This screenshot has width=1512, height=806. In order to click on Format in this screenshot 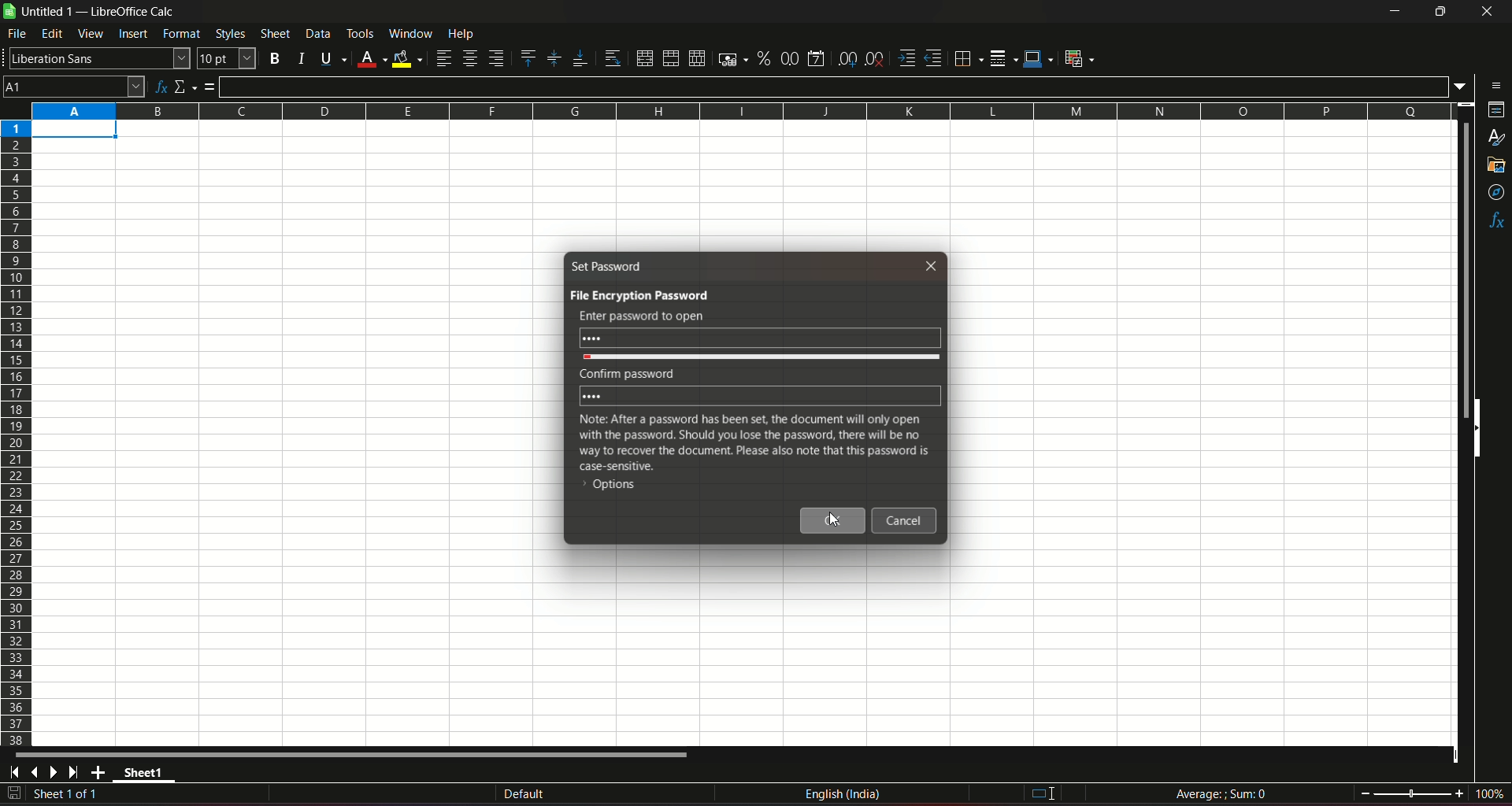, I will do `click(181, 35)`.